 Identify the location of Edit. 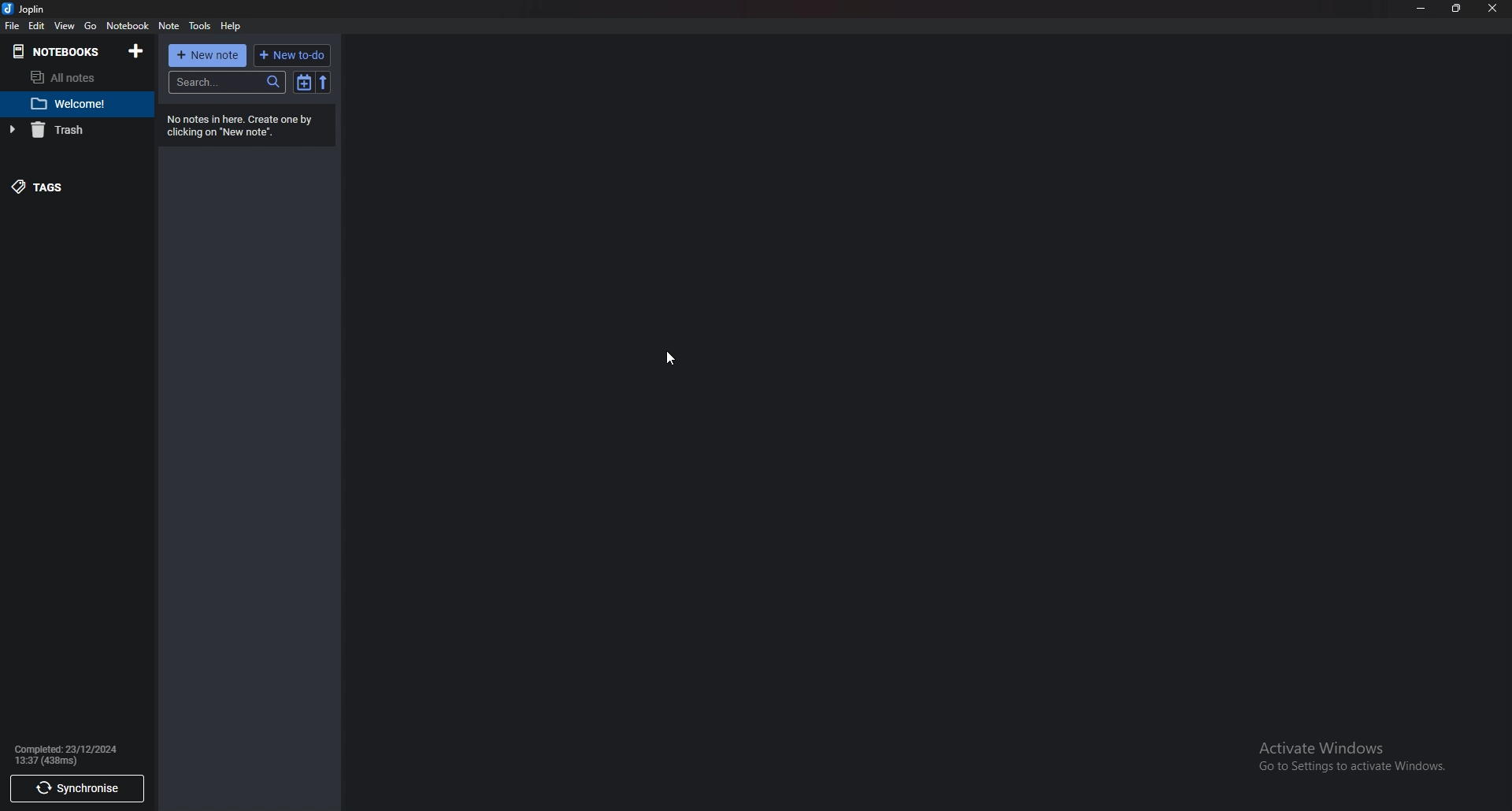
(38, 26).